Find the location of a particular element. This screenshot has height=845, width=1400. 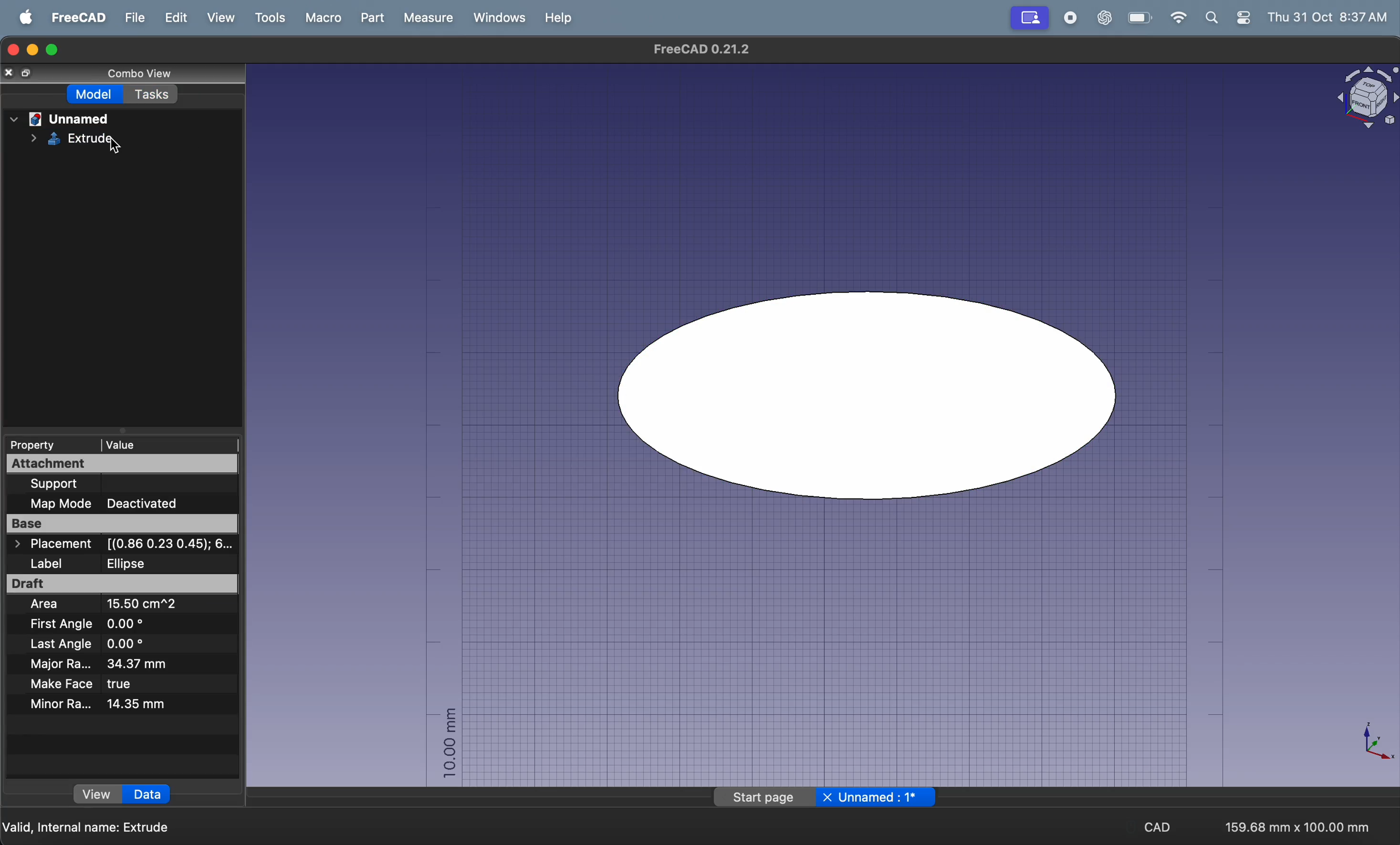

freecad is located at coordinates (74, 19).